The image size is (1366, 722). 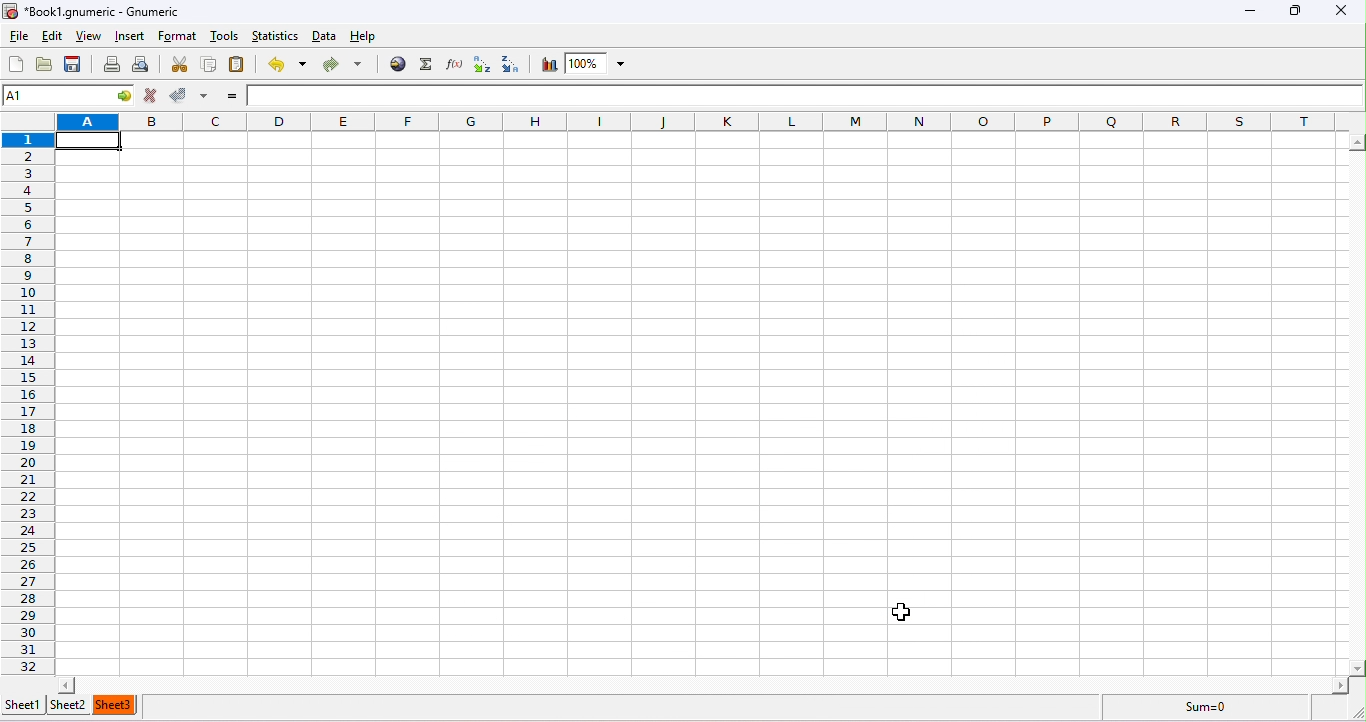 I want to click on rows, so click(x=29, y=392).